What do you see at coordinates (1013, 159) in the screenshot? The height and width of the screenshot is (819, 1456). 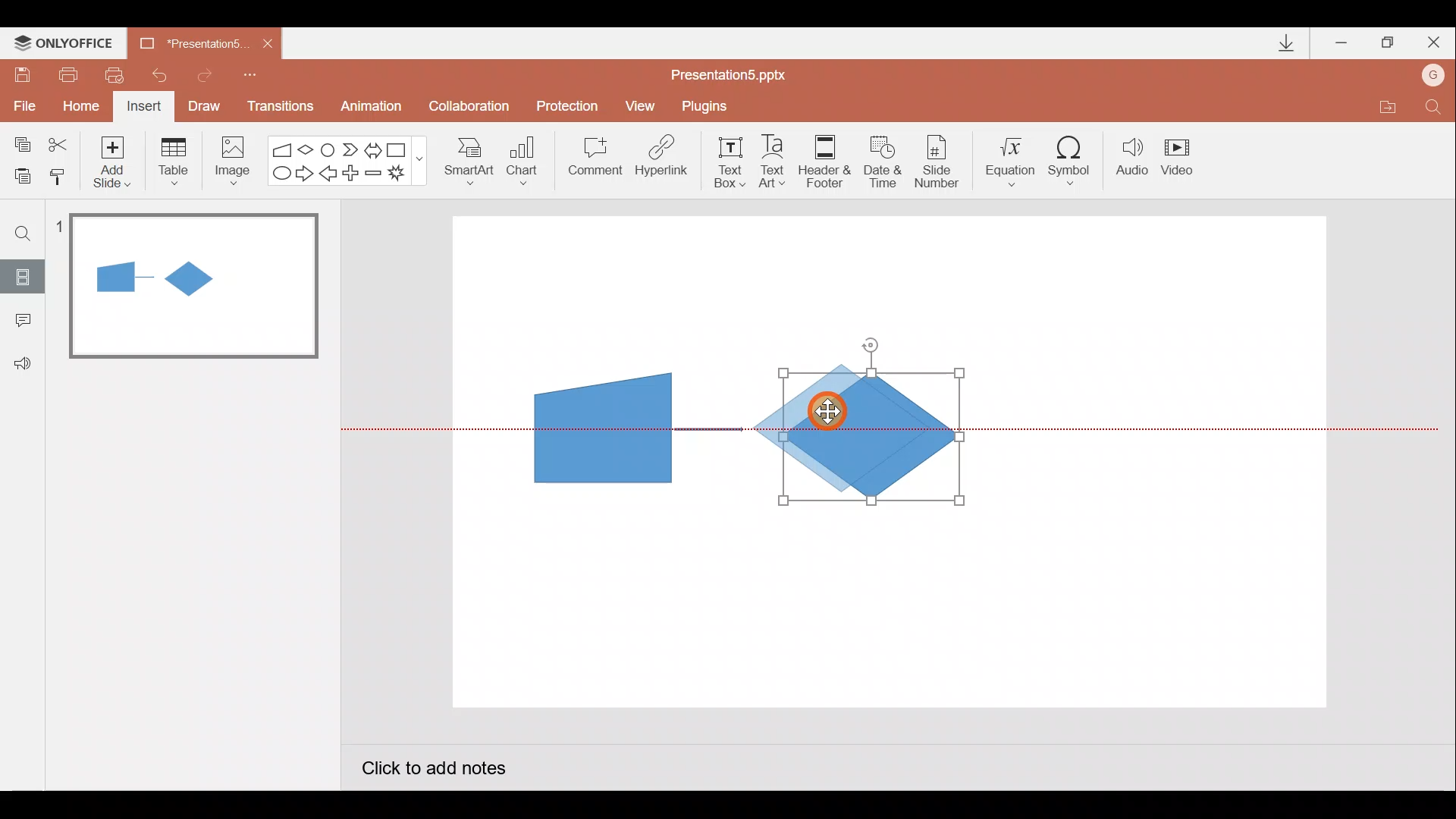 I see `Equation` at bounding box center [1013, 159].